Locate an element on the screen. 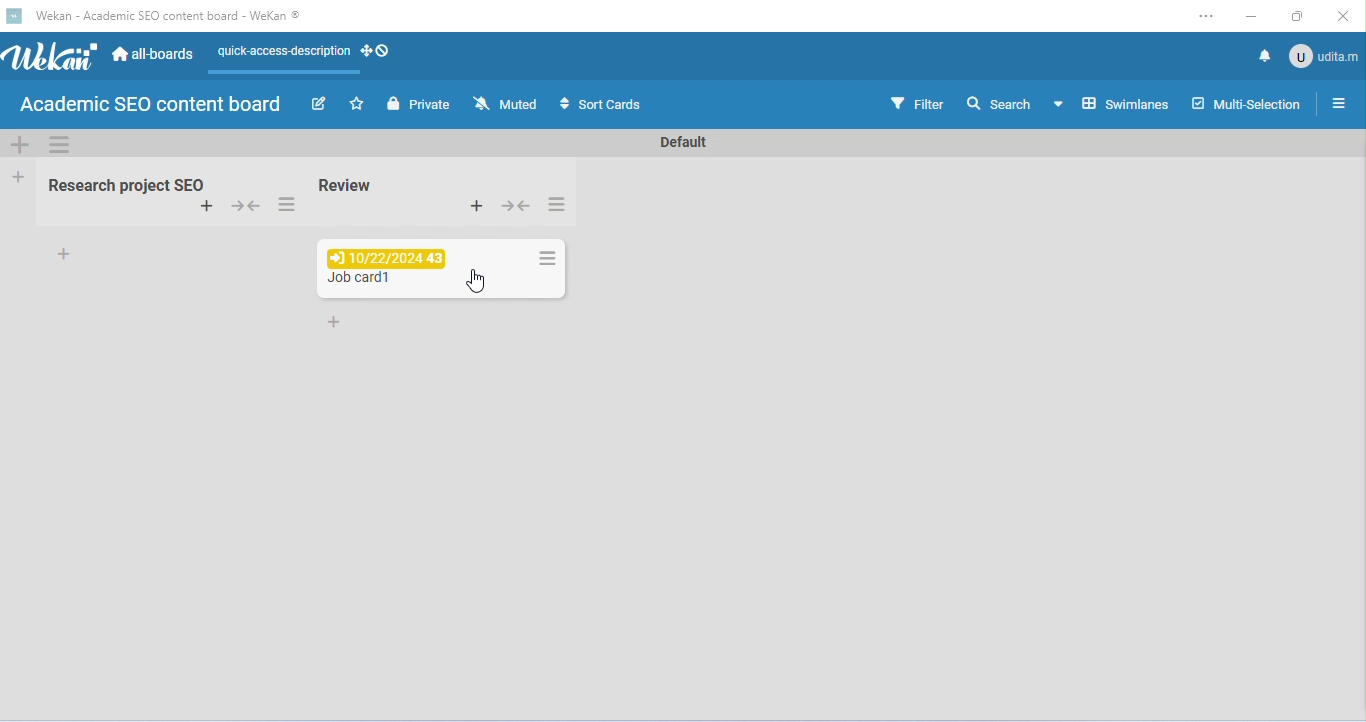 Image resolution: width=1366 pixels, height=722 pixels. private is located at coordinates (418, 104).